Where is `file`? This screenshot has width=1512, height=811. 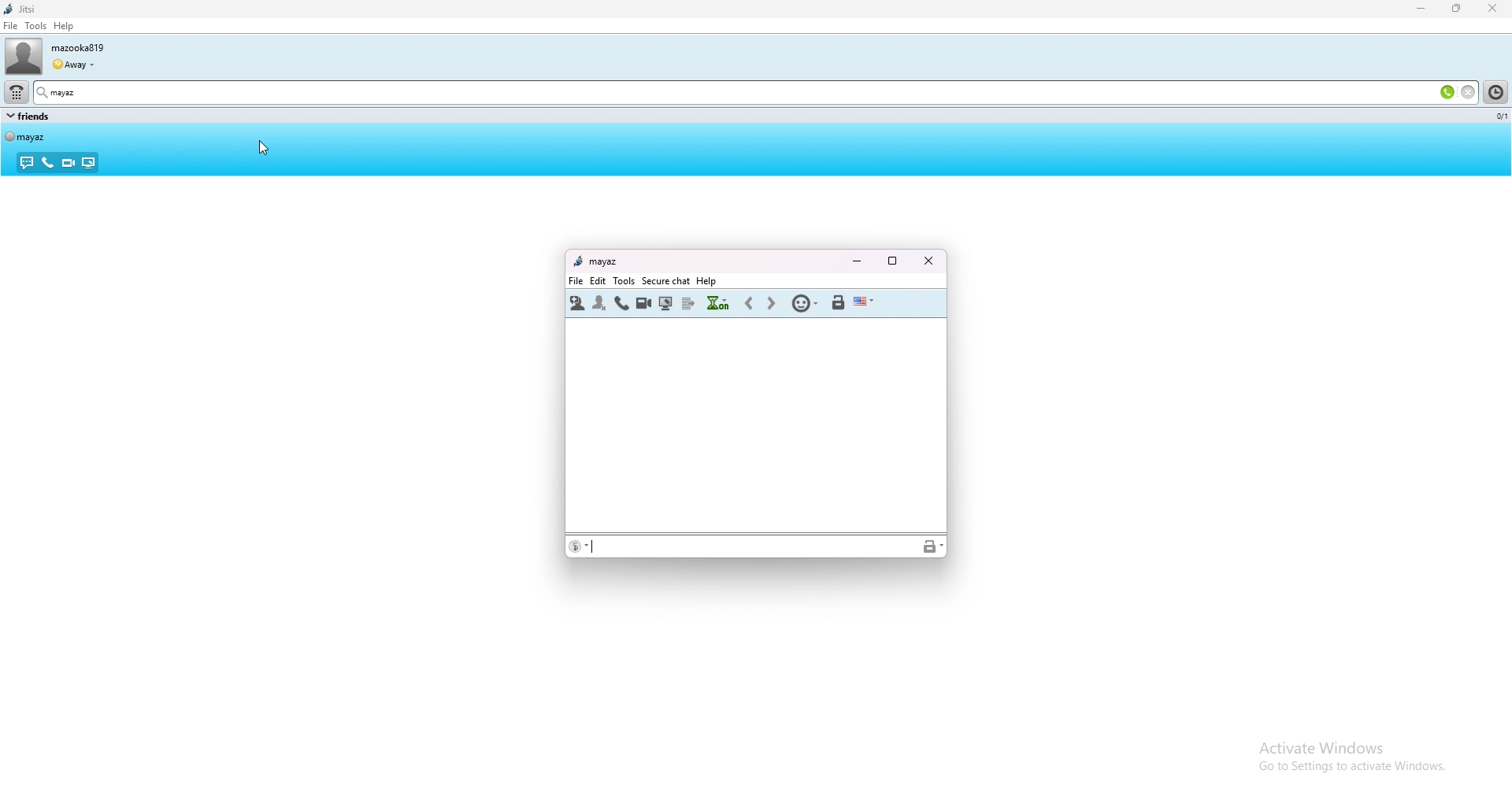 file is located at coordinates (577, 281).